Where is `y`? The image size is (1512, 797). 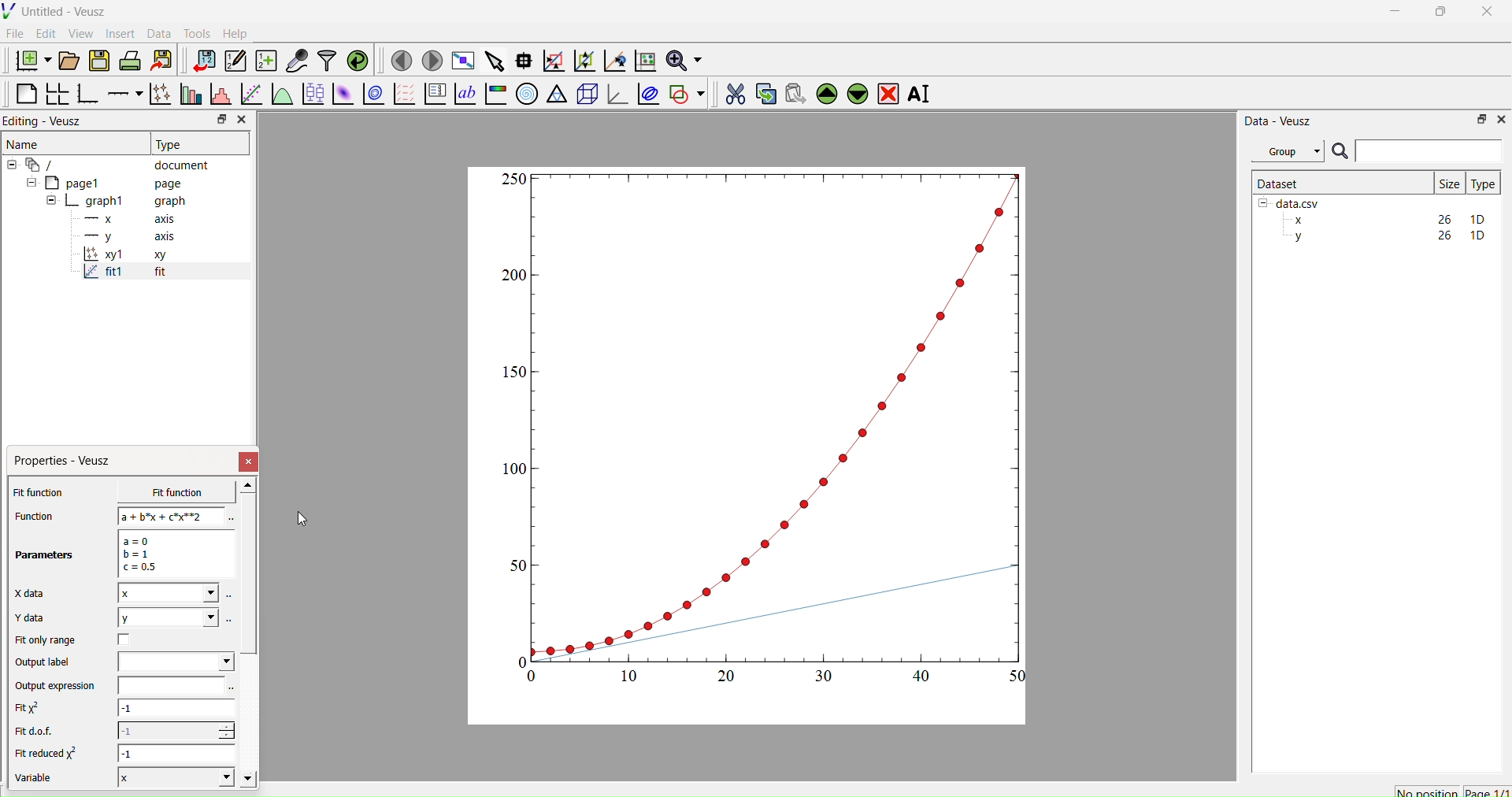
y is located at coordinates (167, 617).